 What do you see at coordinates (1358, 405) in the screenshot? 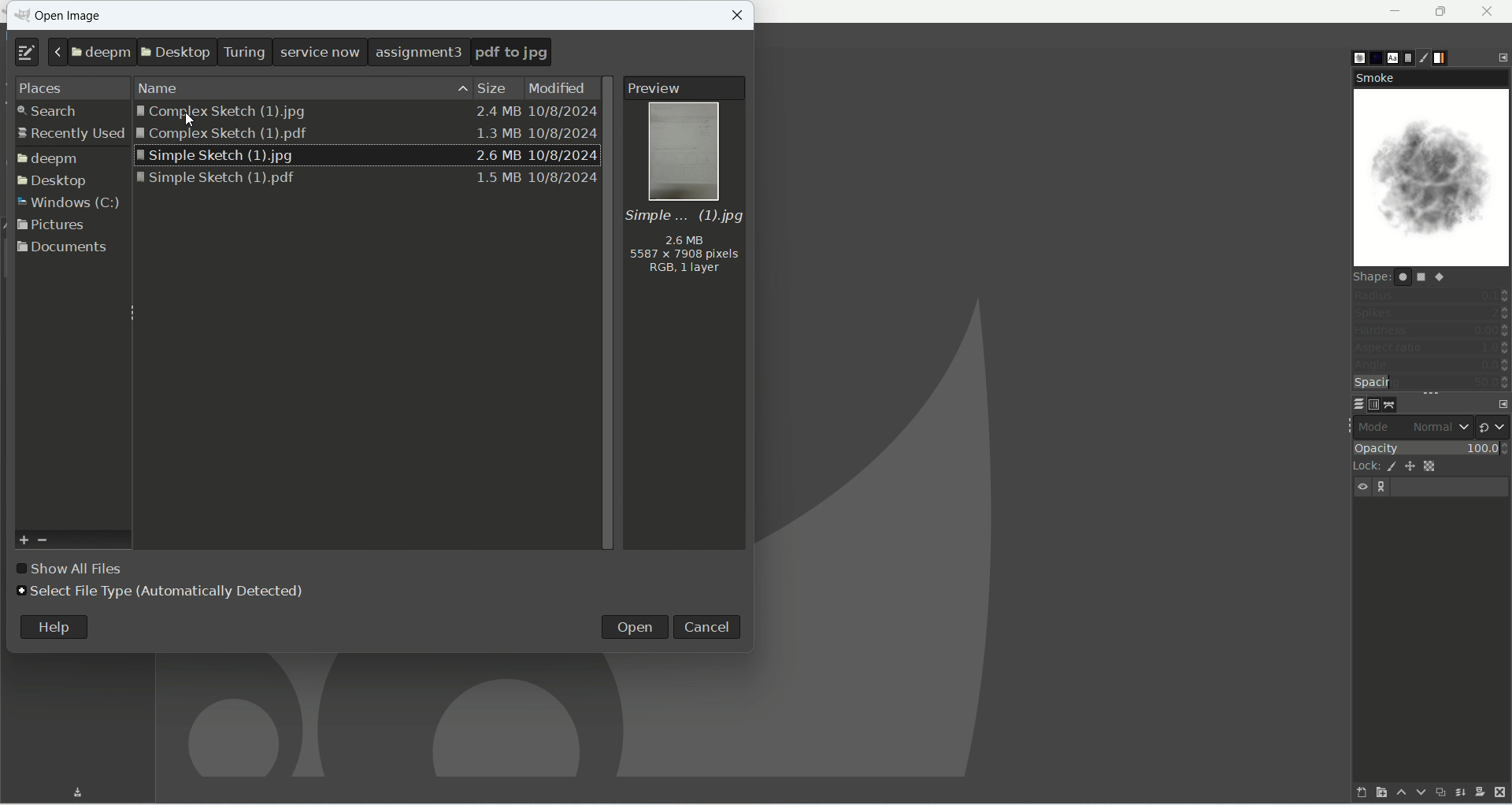
I see `layers` at bounding box center [1358, 405].